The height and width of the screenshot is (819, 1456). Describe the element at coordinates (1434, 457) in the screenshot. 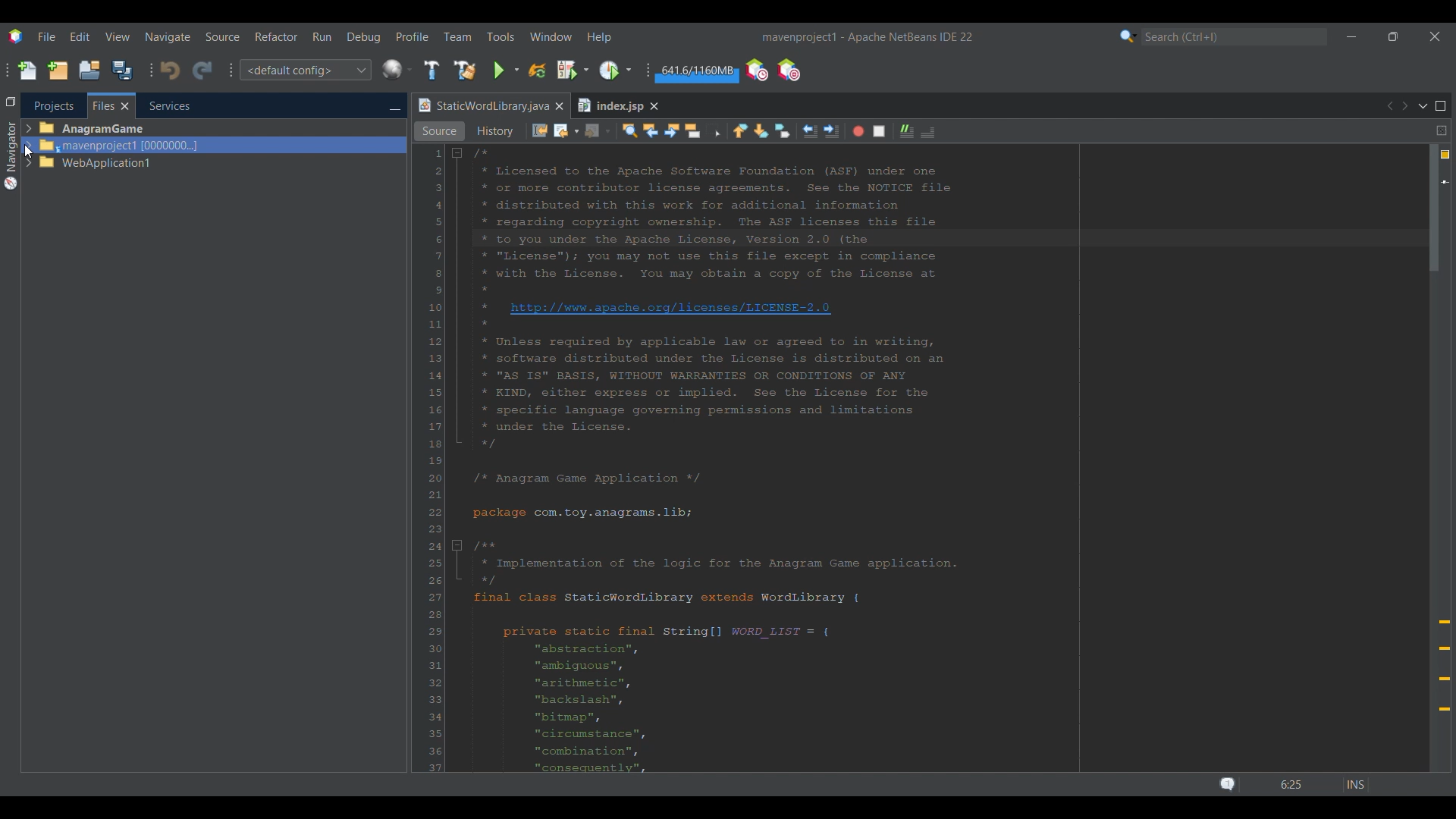

I see `Vertical slide bar` at that location.